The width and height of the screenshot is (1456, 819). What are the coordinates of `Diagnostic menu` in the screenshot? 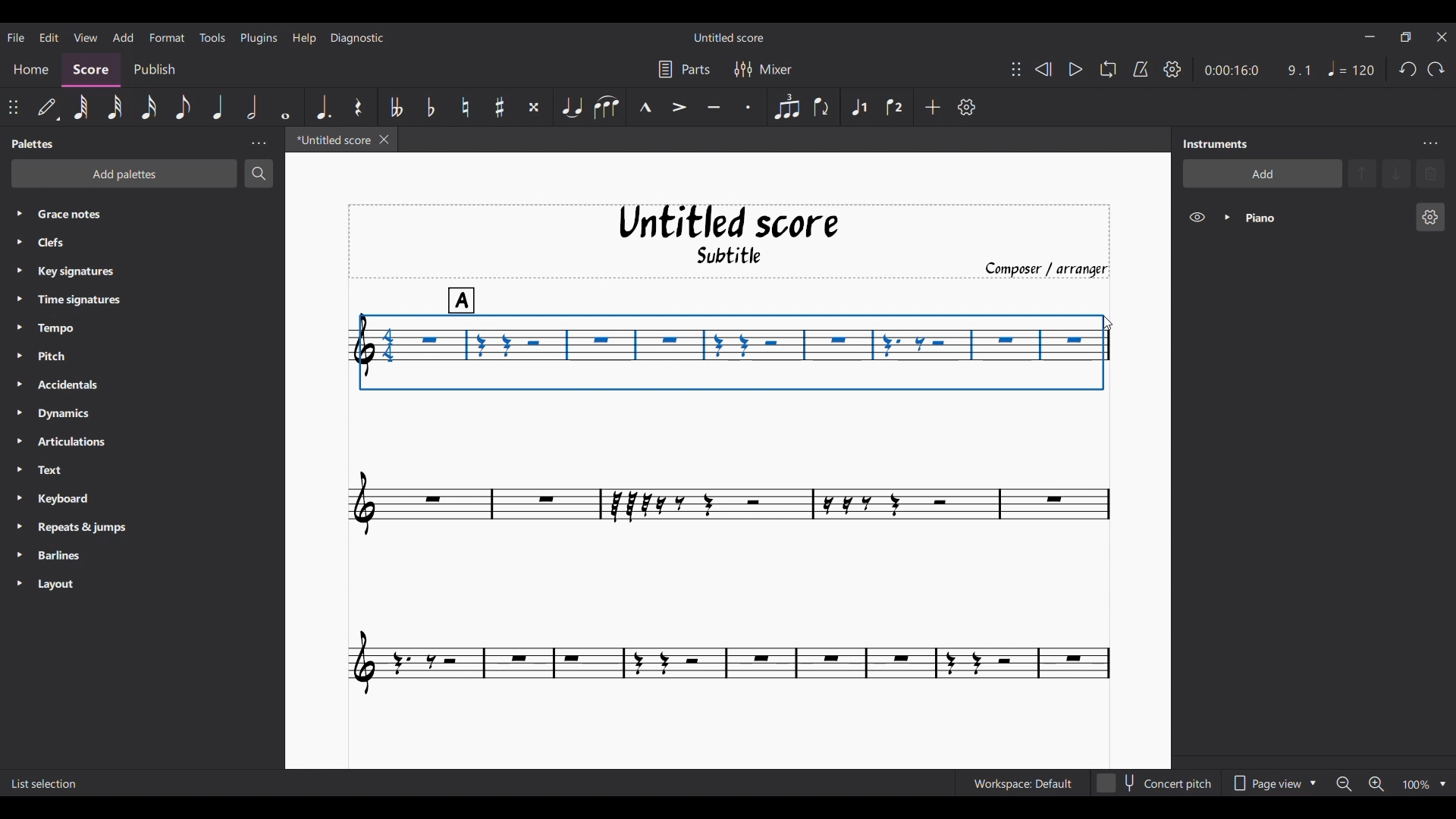 It's located at (358, 38).